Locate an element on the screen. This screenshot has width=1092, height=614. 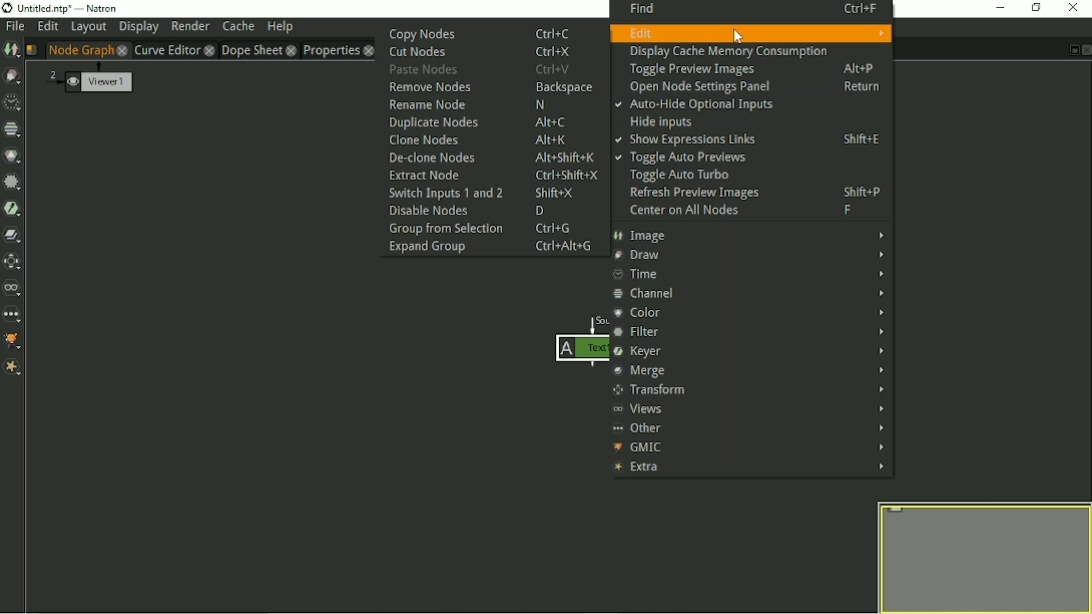
Paste Nodes is located at coordinates (484, 69).